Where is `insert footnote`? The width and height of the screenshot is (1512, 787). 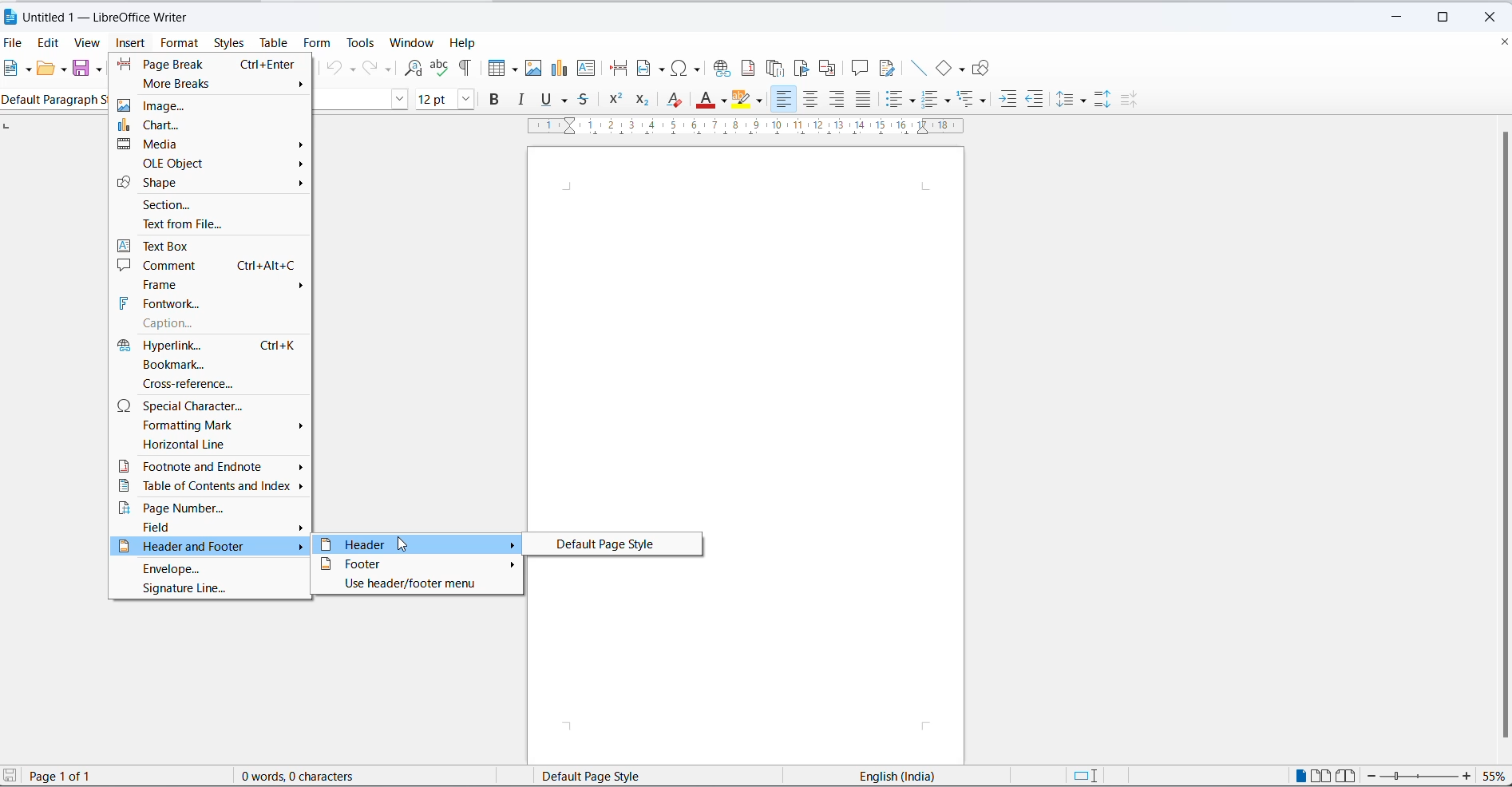
insert footnote is located at coordinates (747, 69).